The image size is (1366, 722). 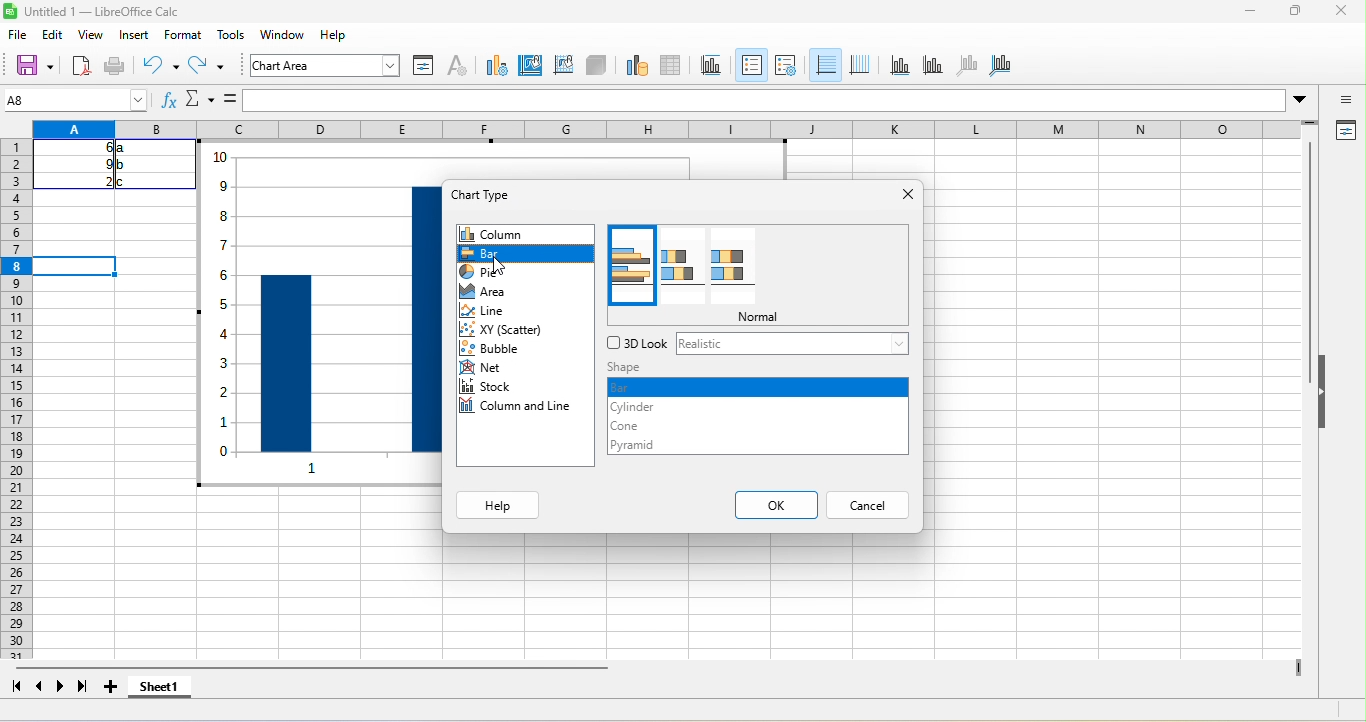 I want to click on styles, so click(x=228, y=36).